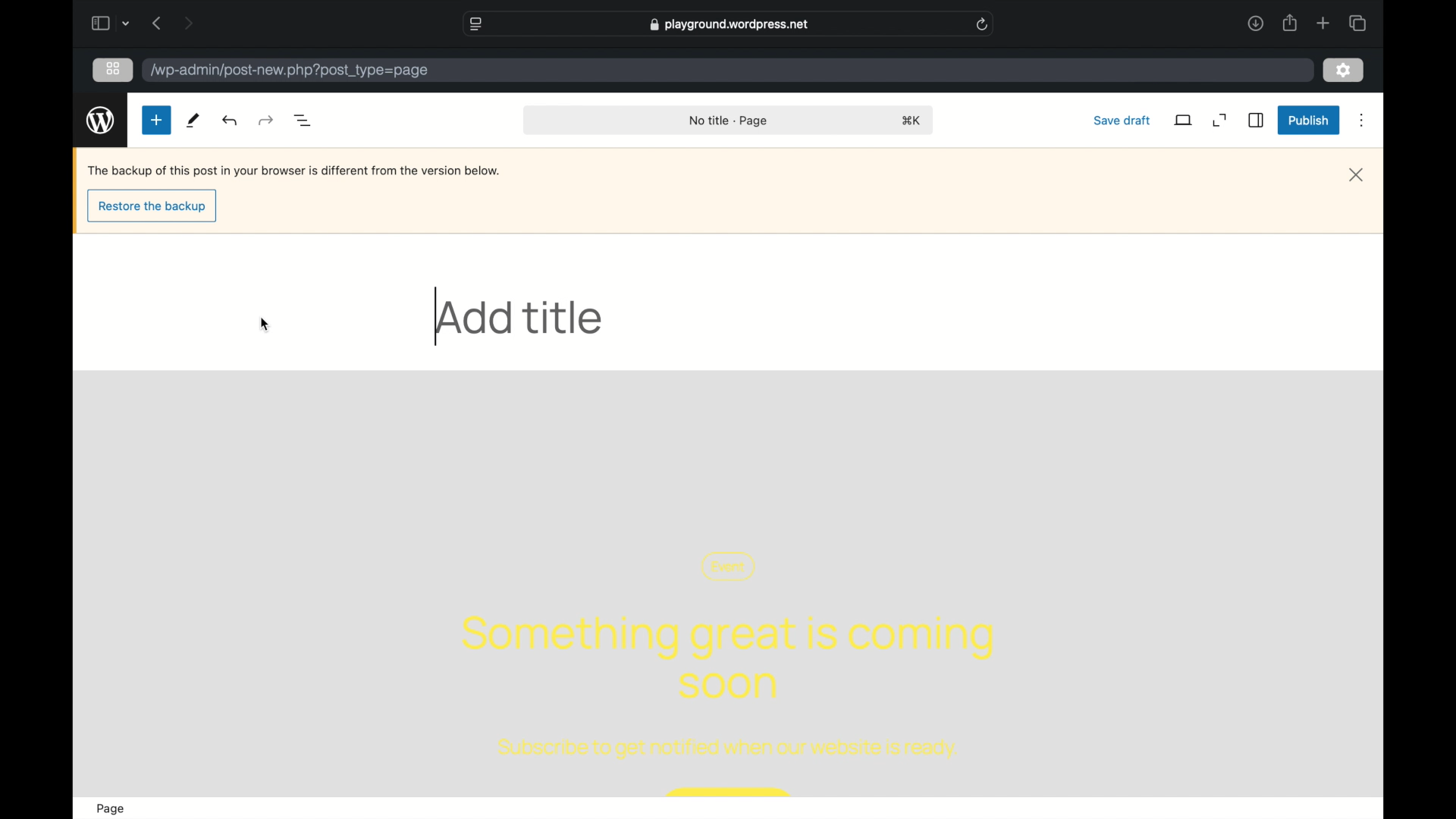  Describe the element at coordinates (265, 121) in the screenshot. I see `undo` at that location.